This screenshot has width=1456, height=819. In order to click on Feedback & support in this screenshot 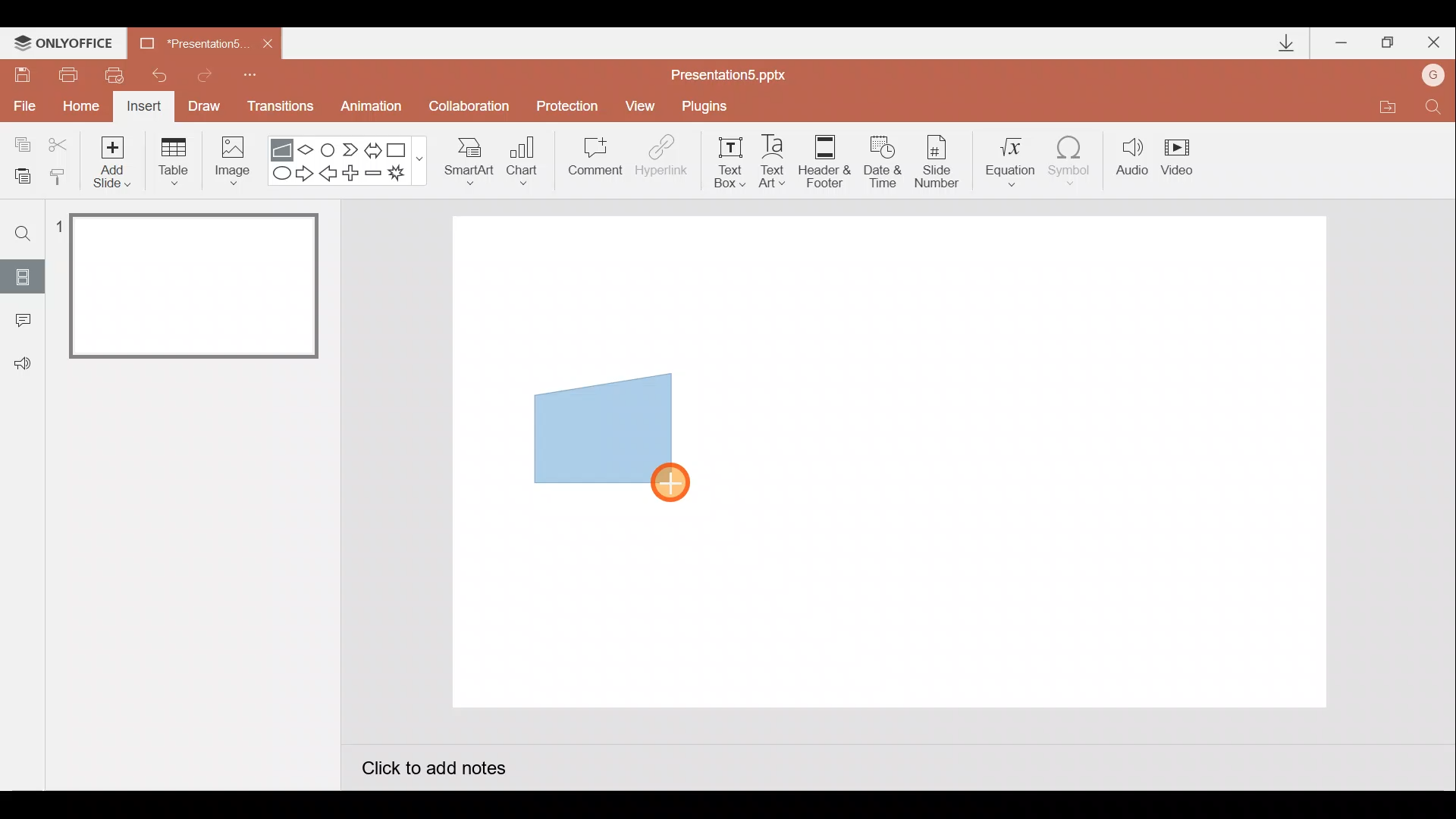, I will do `click(24, 362)`.